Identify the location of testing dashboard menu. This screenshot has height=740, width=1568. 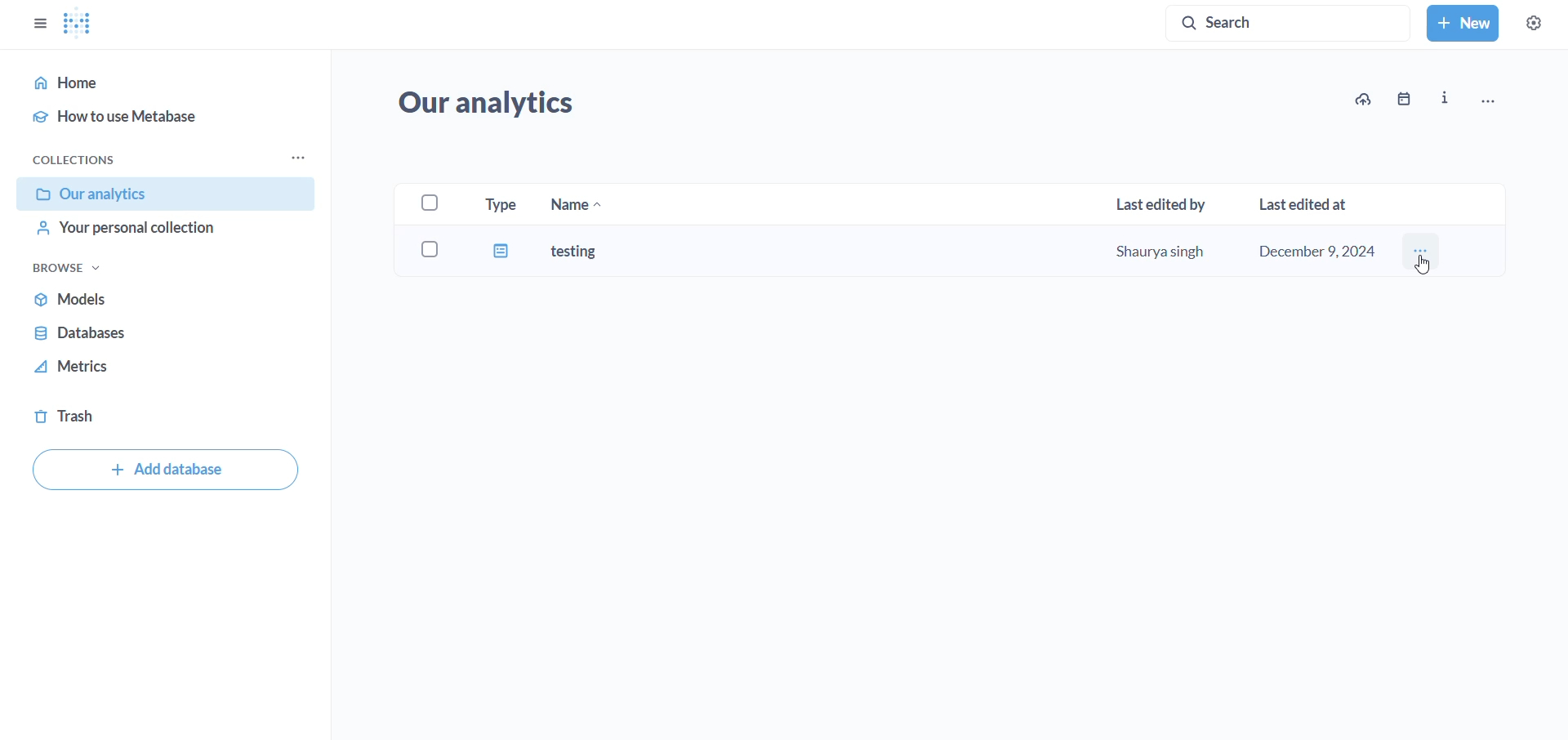
(1423, 252).